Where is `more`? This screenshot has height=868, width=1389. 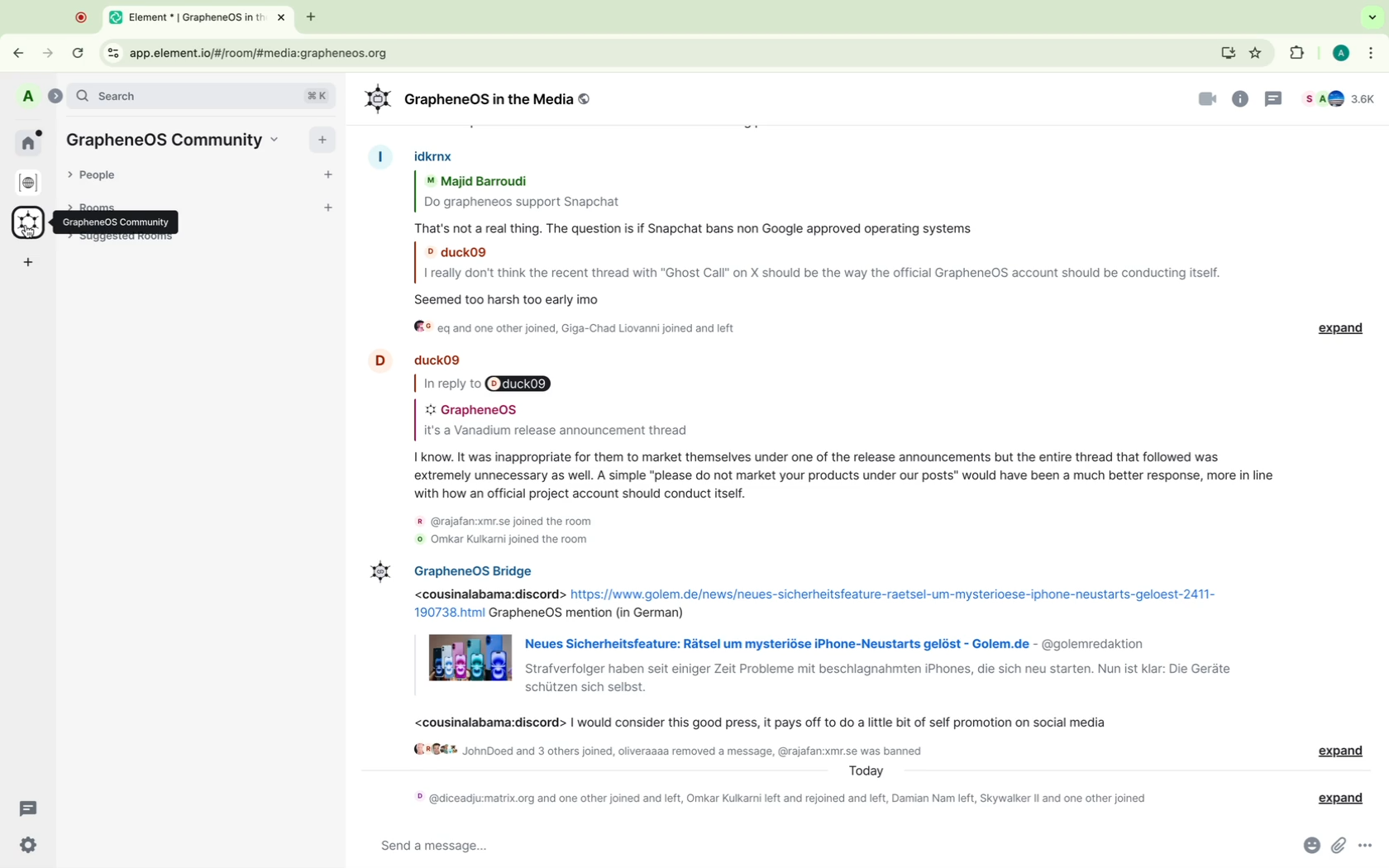 more is located at coordinates (1372, 51).